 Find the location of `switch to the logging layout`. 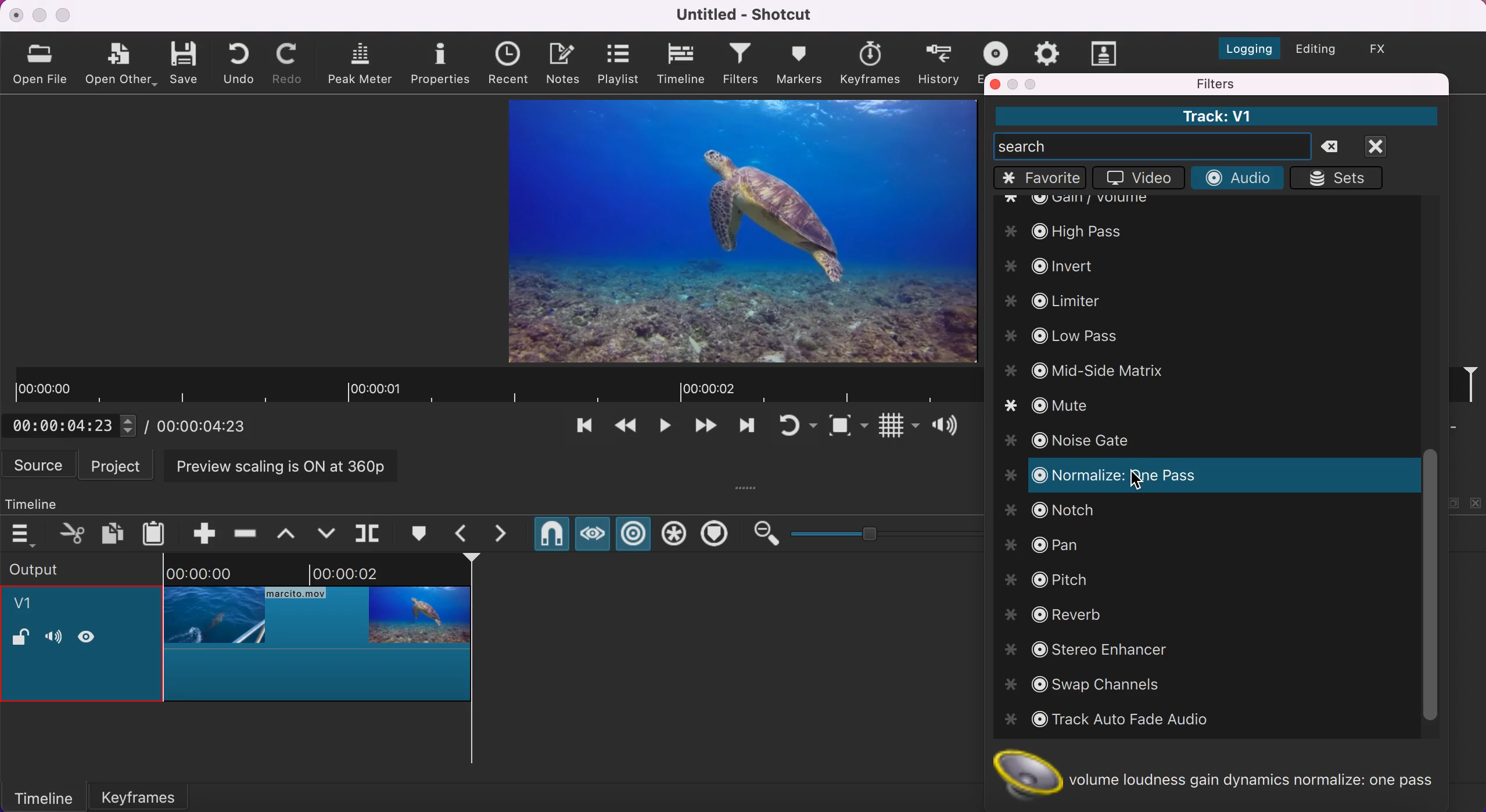

switch to the logging layout is located at coordinates (1243, 45).